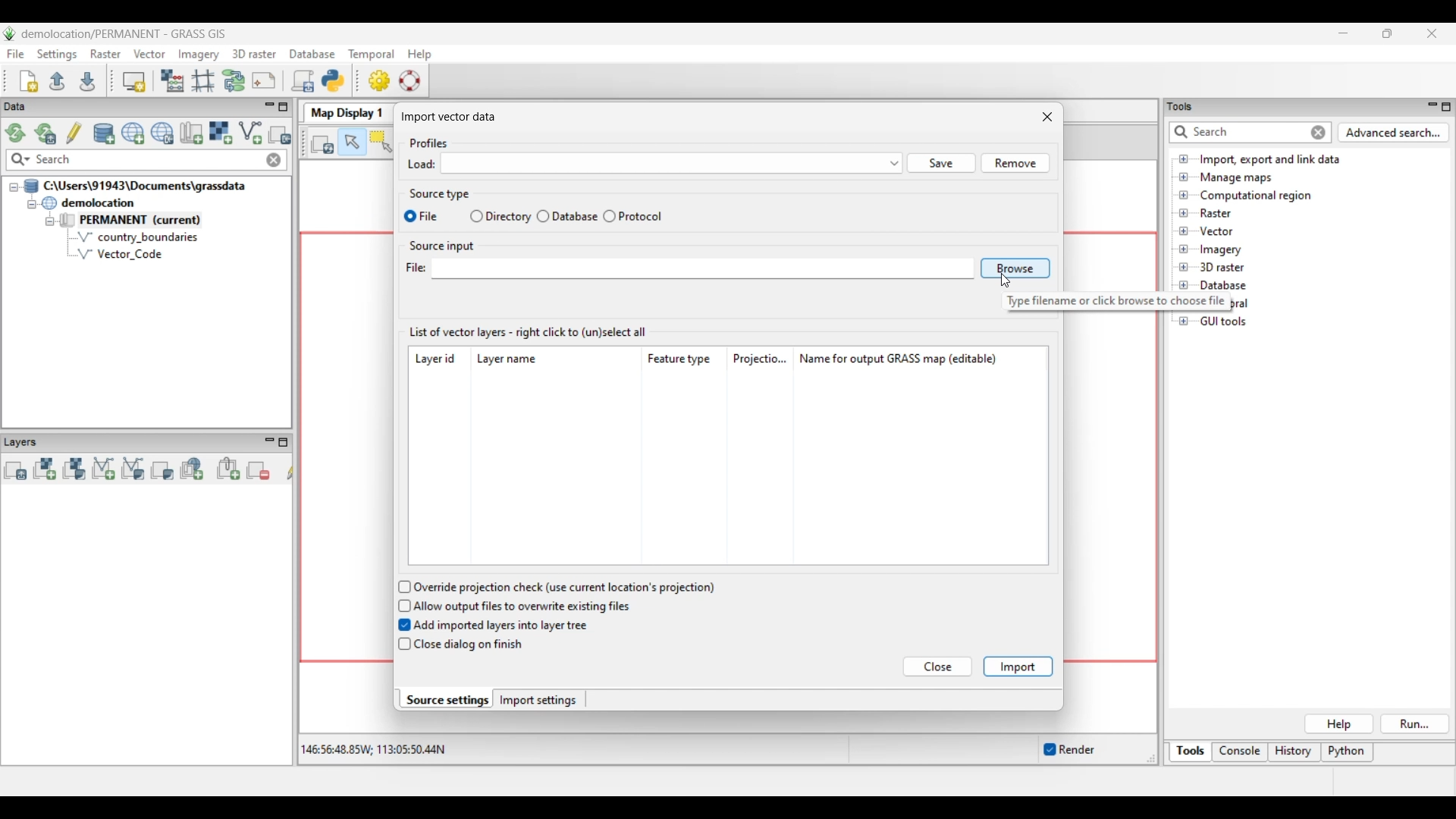 Image resolution: width=1456 pixels, height=819 pixels. Describe the element at coordinates (538, 700) in the screenshot. I see `Import settings` at that location.